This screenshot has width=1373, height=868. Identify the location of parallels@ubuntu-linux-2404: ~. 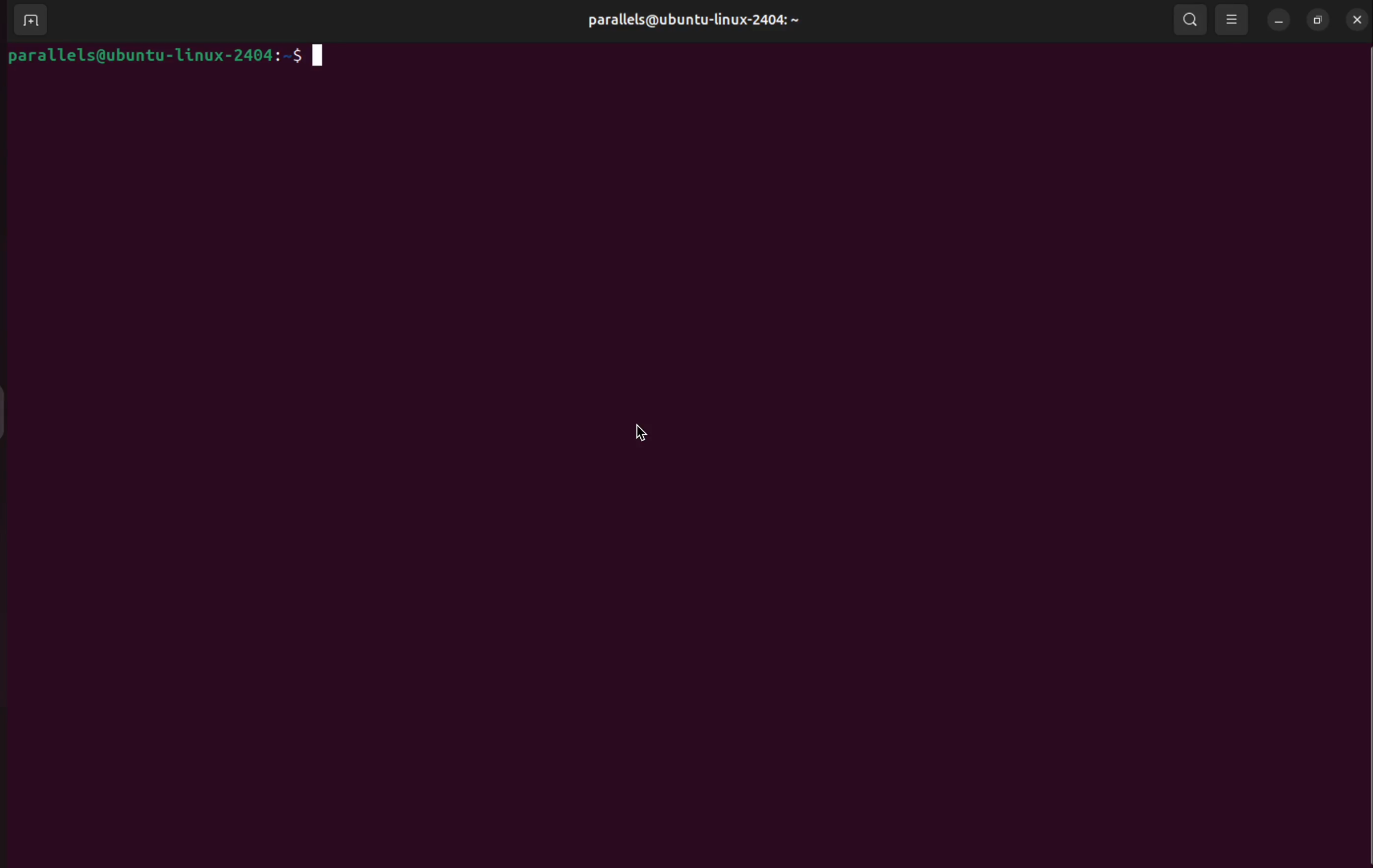
(689, 21).